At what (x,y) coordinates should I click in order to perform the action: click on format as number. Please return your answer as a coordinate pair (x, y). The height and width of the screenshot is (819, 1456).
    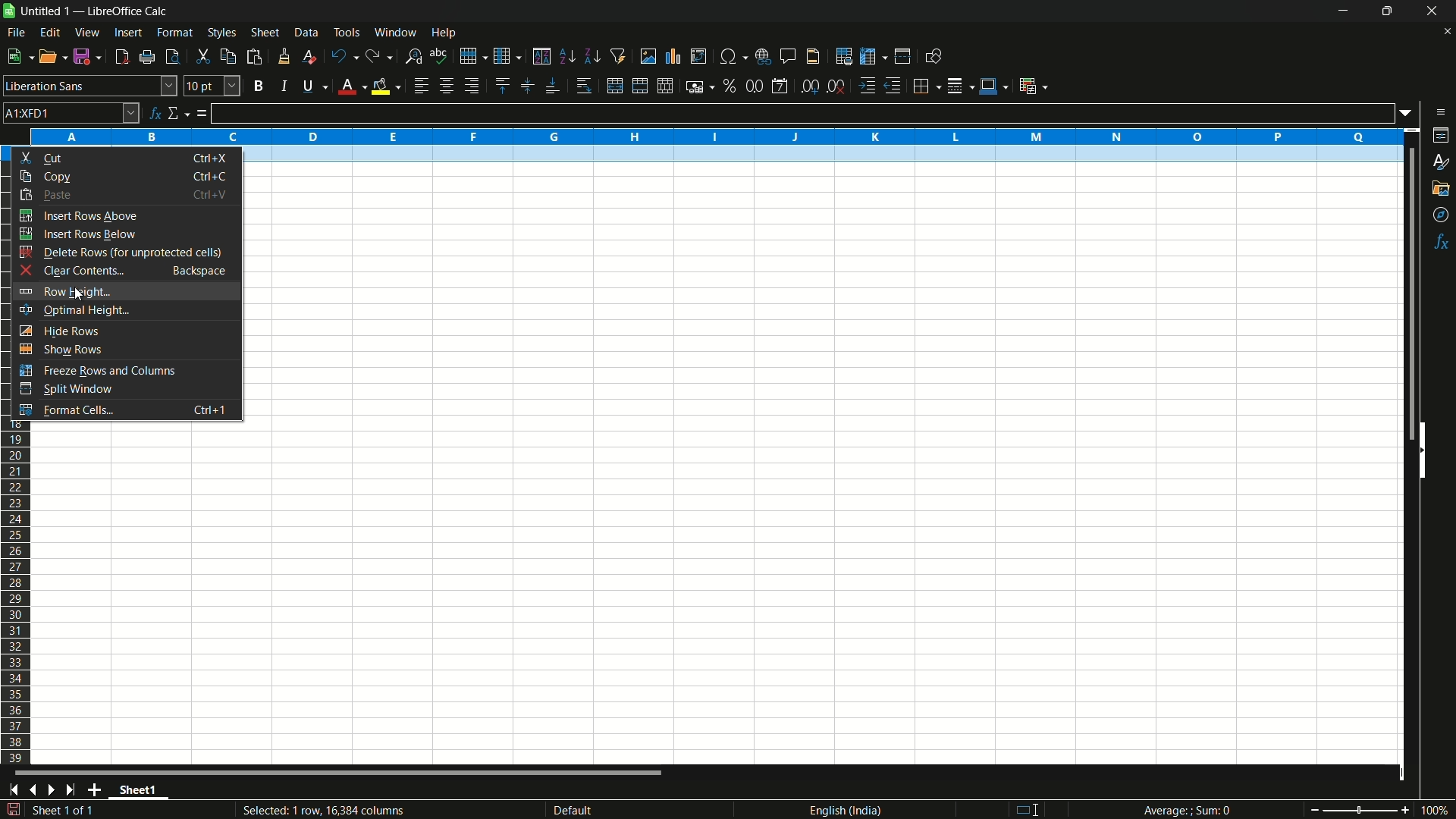
    Looking at the image, I should click on (754, 86).